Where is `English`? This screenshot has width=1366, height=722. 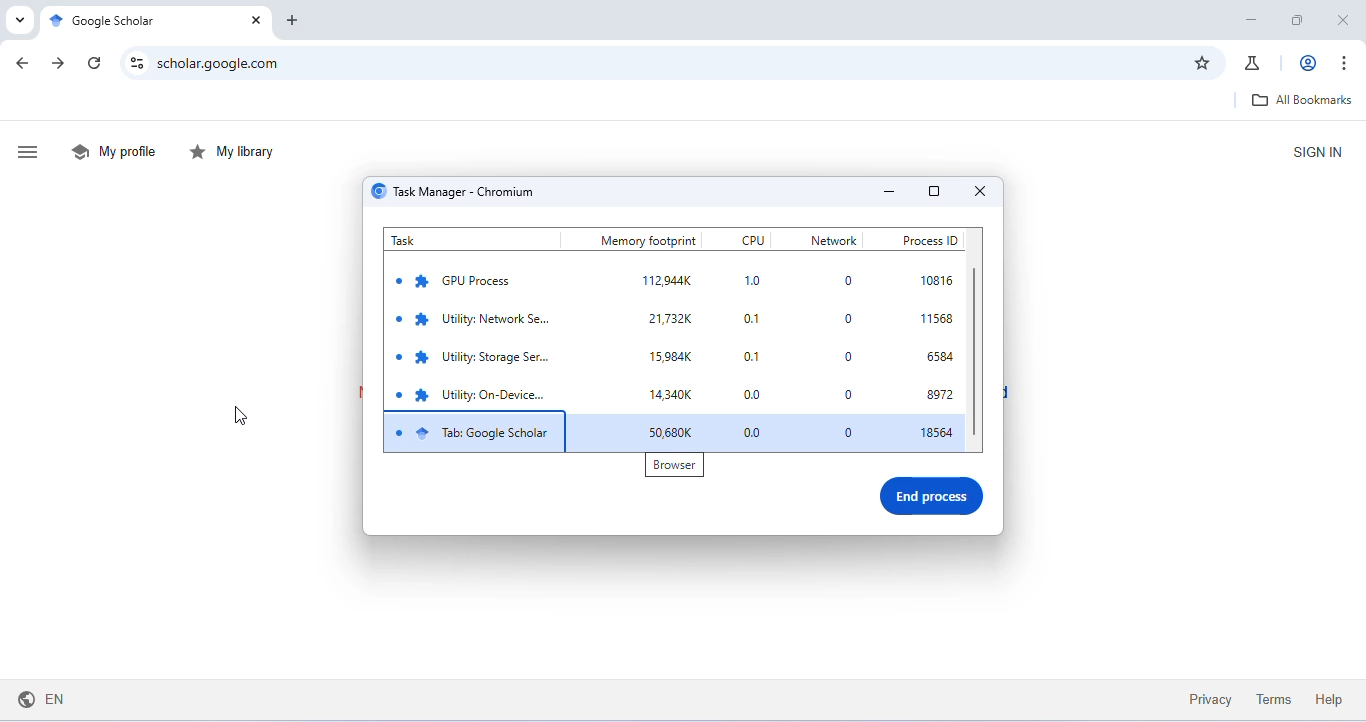
English is located at coordinates (41, 699).